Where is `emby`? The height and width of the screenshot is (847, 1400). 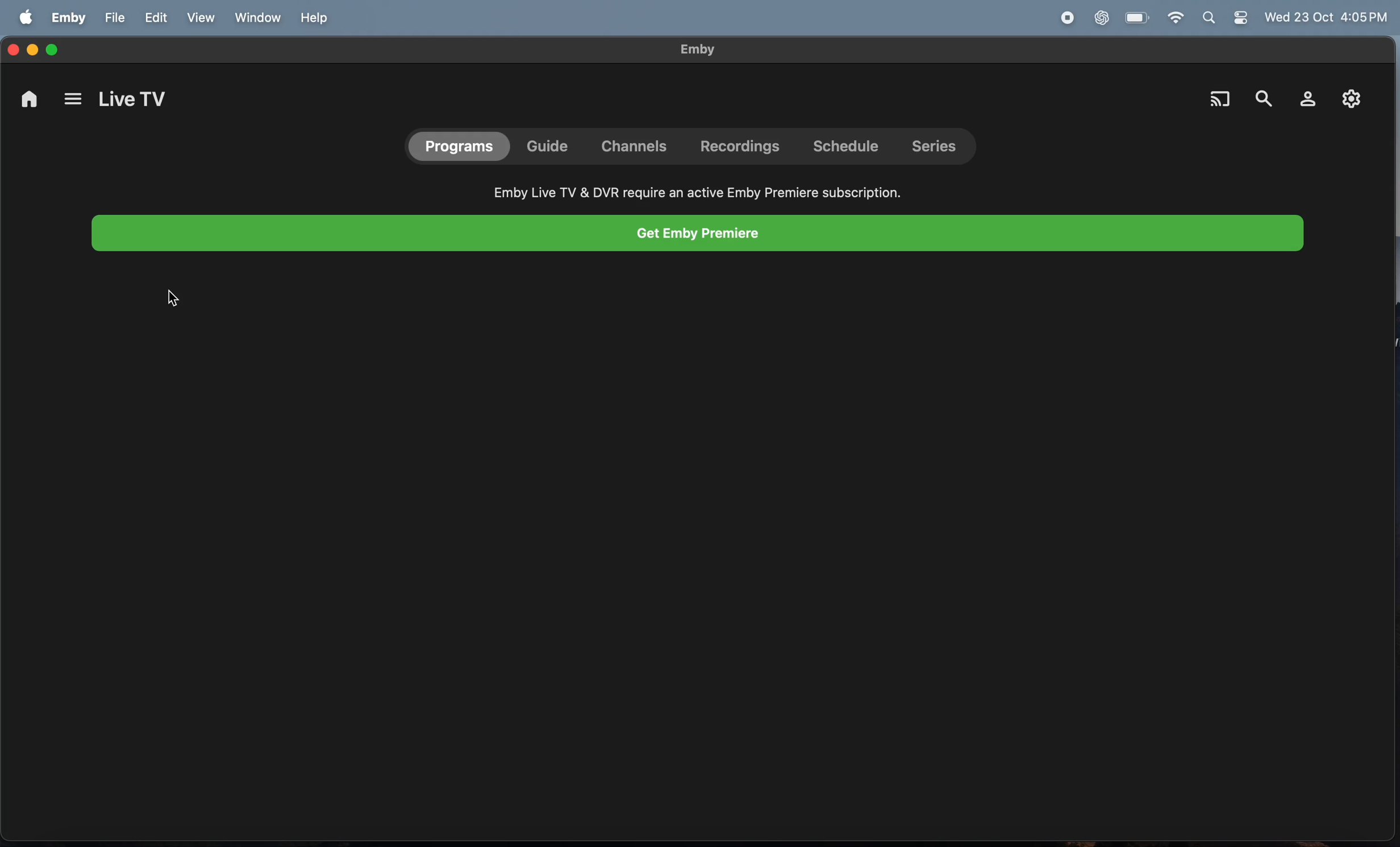
emby is located at coordinates (688, 49).